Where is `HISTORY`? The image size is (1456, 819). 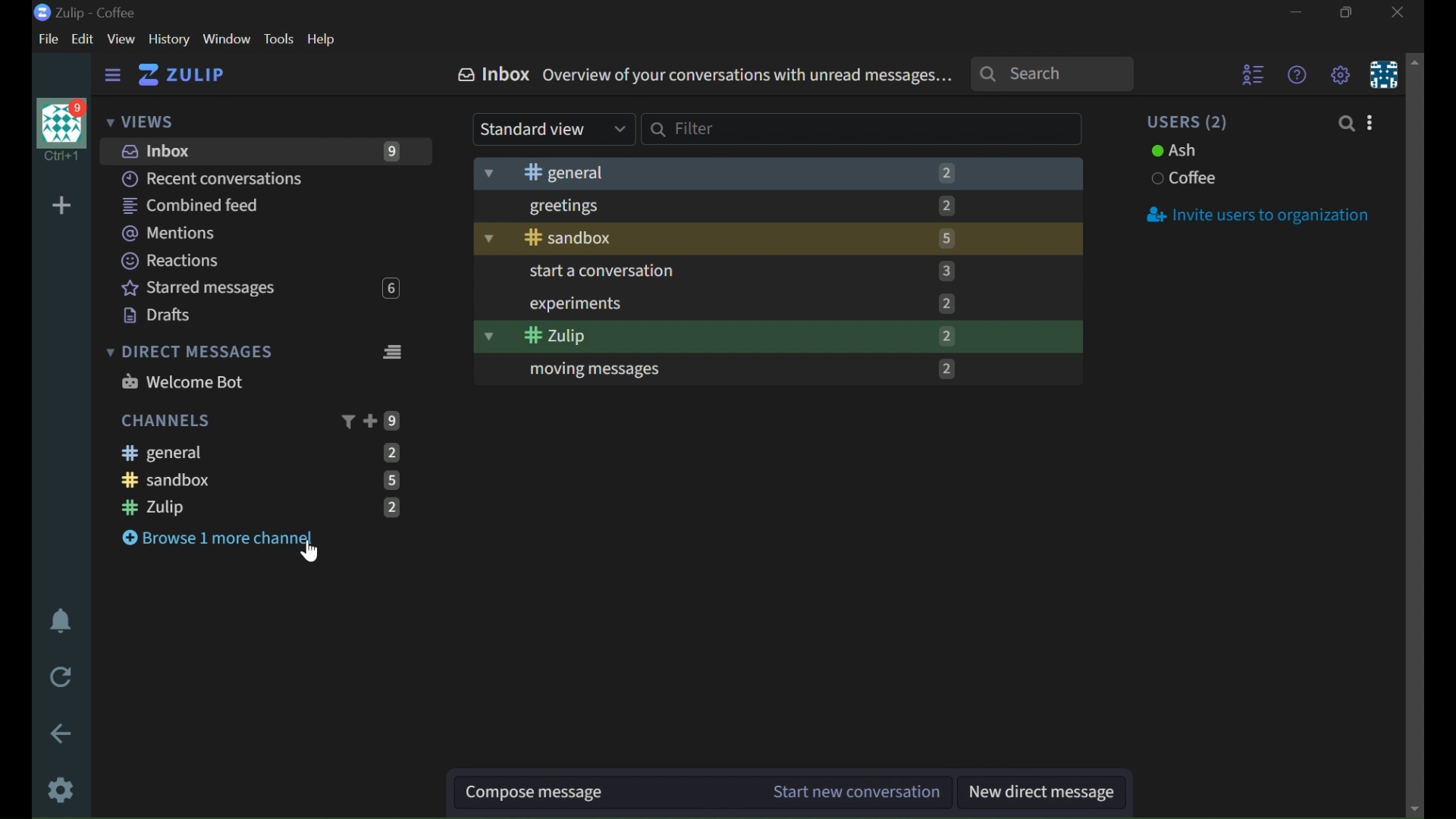 HISTORY is located at coordinates (170, 39).